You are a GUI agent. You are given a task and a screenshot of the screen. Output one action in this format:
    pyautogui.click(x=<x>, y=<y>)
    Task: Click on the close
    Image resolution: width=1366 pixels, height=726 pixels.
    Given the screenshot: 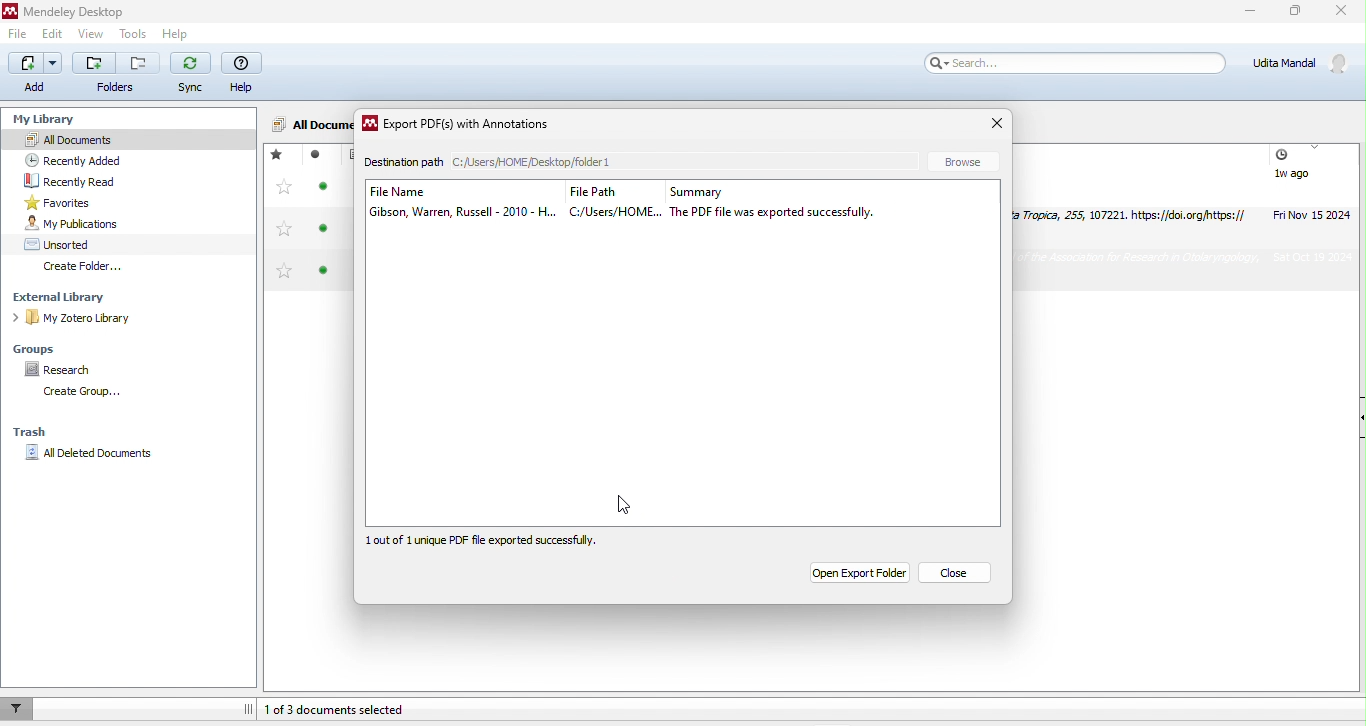 What is the action you would take?
    pyautogui.click(x=953, y=575)
    